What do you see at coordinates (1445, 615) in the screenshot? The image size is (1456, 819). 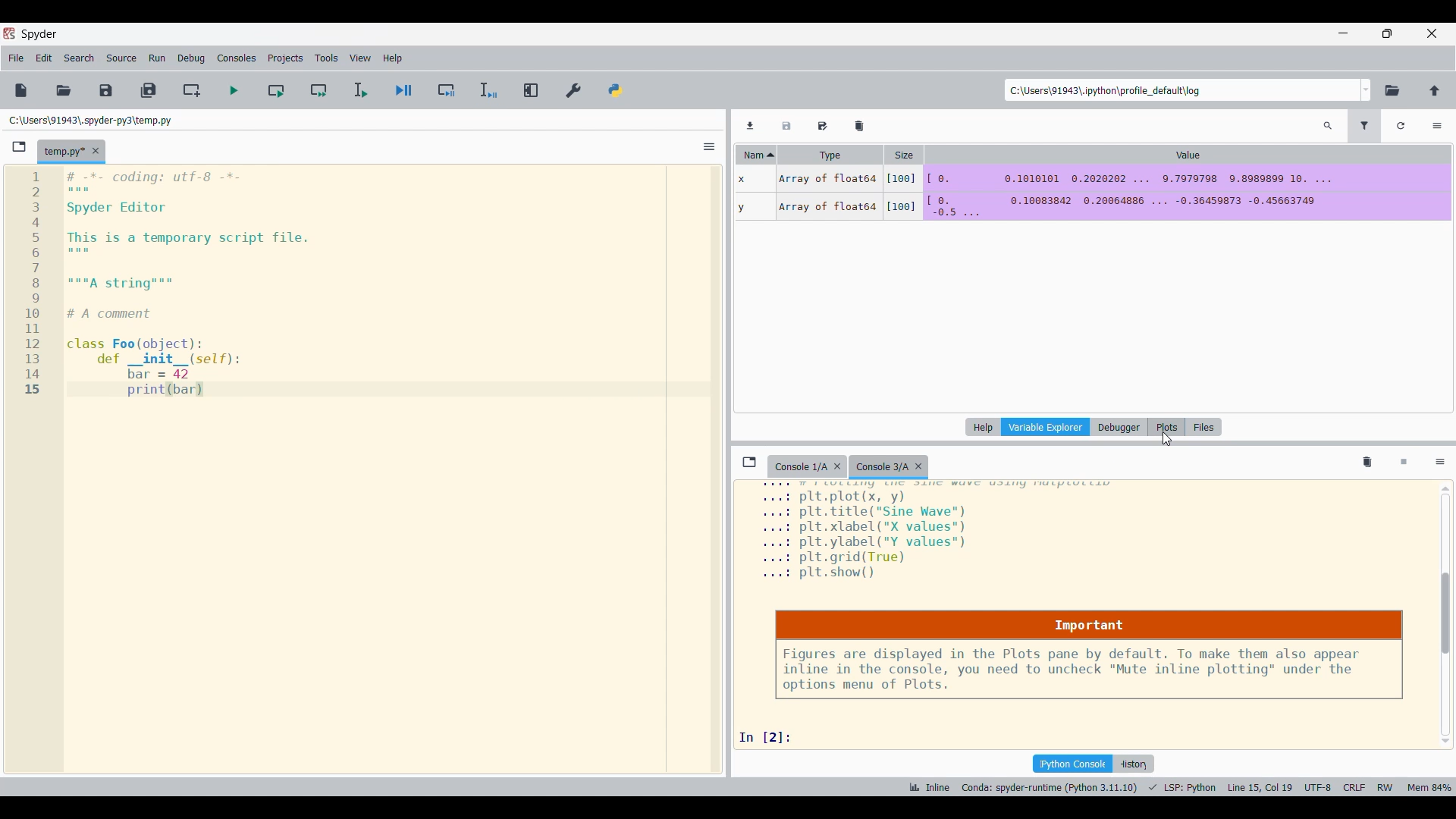 I see `Vertical slide bar` at bounding box center [1445, 615].